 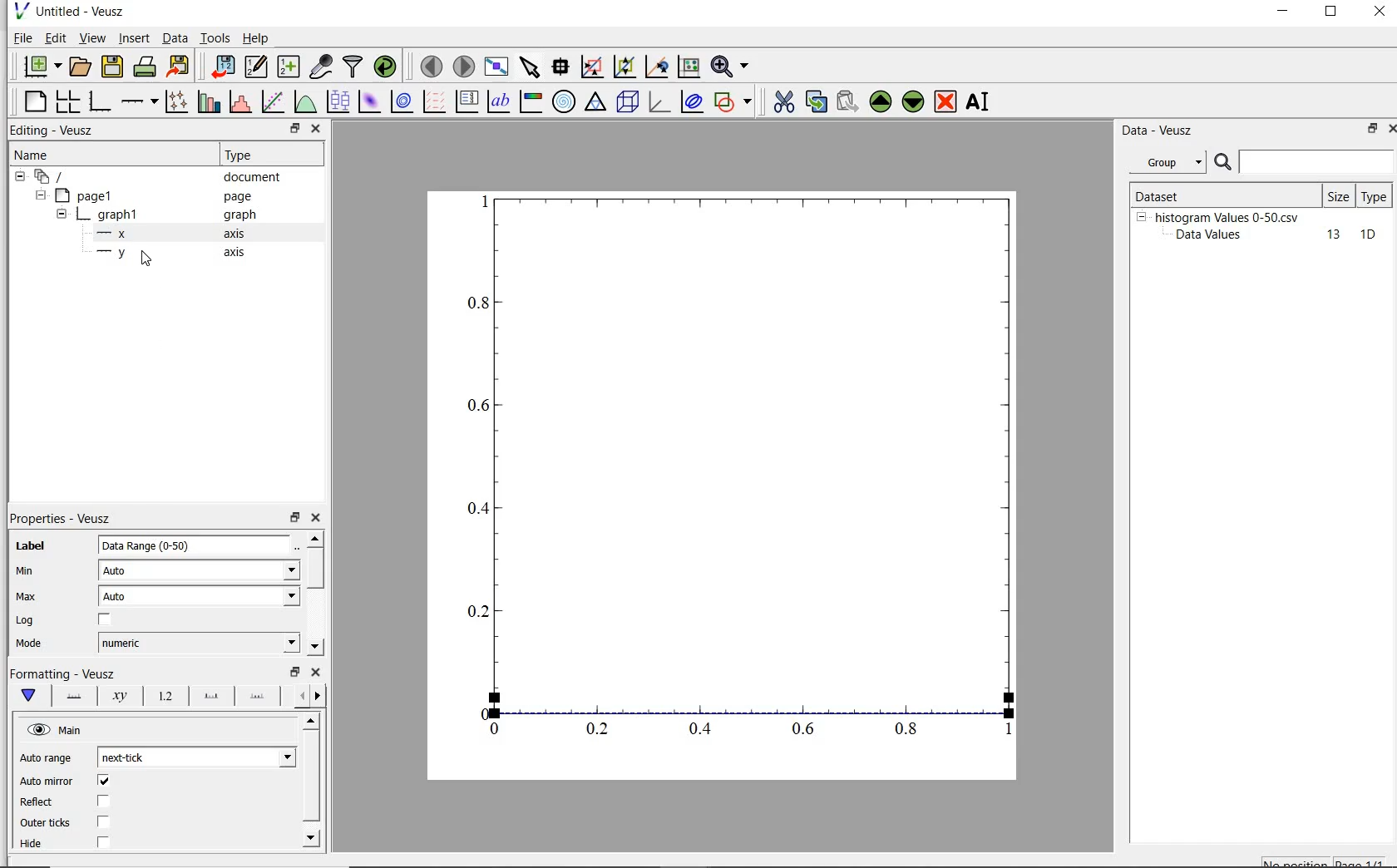 I want to click on minor ticks, so click(x=258, y=698).